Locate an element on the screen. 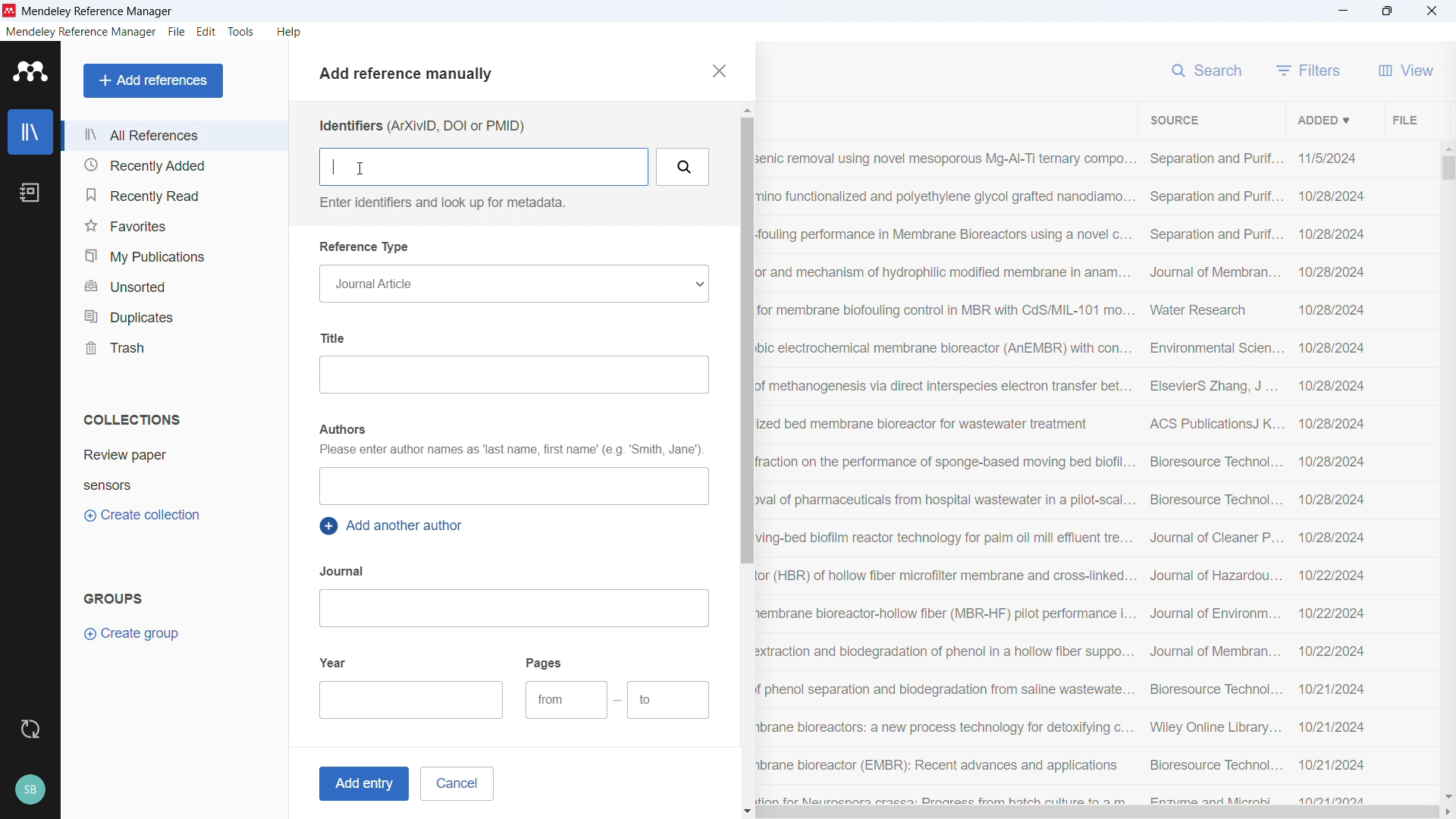 The height and width of the screenshot is (819, 1456). Horizontal scroll bar  is located at coordinates (1098, 813).